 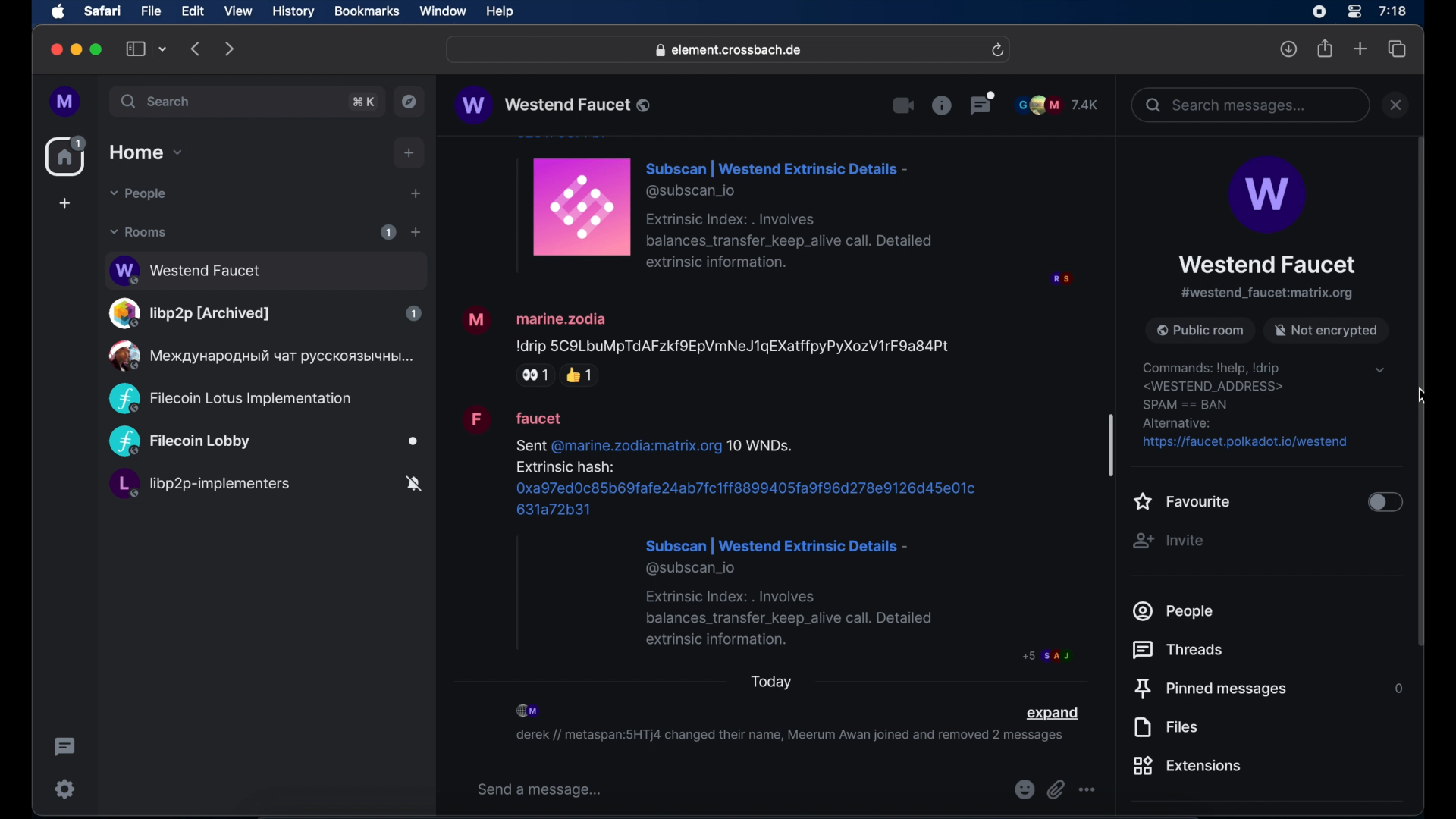 What do you see at coordinates (1056, 790) in the screenshot?
I see `attachments` at bounding box center [1056, 790].